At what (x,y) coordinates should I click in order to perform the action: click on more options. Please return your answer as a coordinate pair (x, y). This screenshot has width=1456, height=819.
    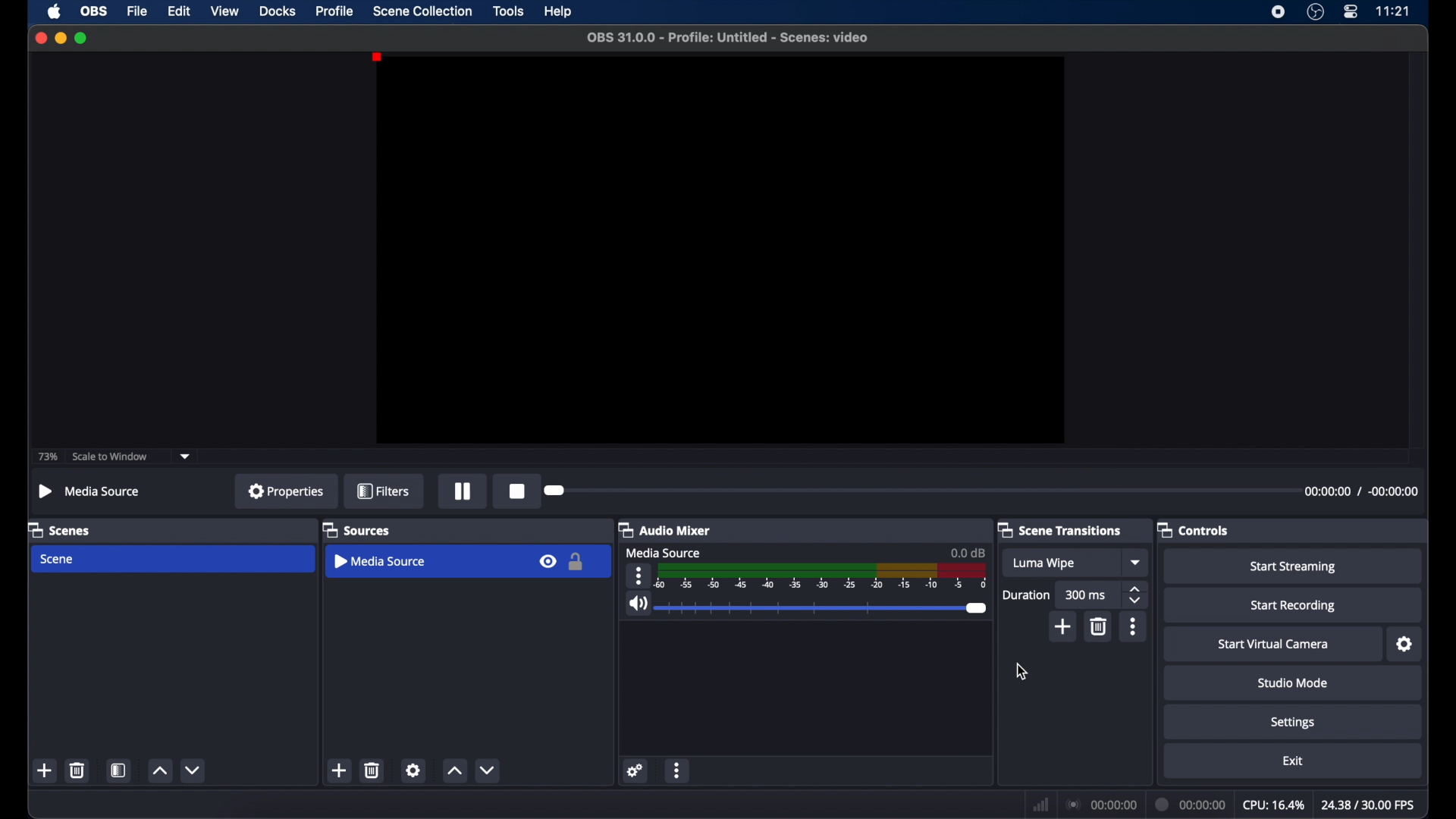
    Looking at the image, I should click on (1133, 626).